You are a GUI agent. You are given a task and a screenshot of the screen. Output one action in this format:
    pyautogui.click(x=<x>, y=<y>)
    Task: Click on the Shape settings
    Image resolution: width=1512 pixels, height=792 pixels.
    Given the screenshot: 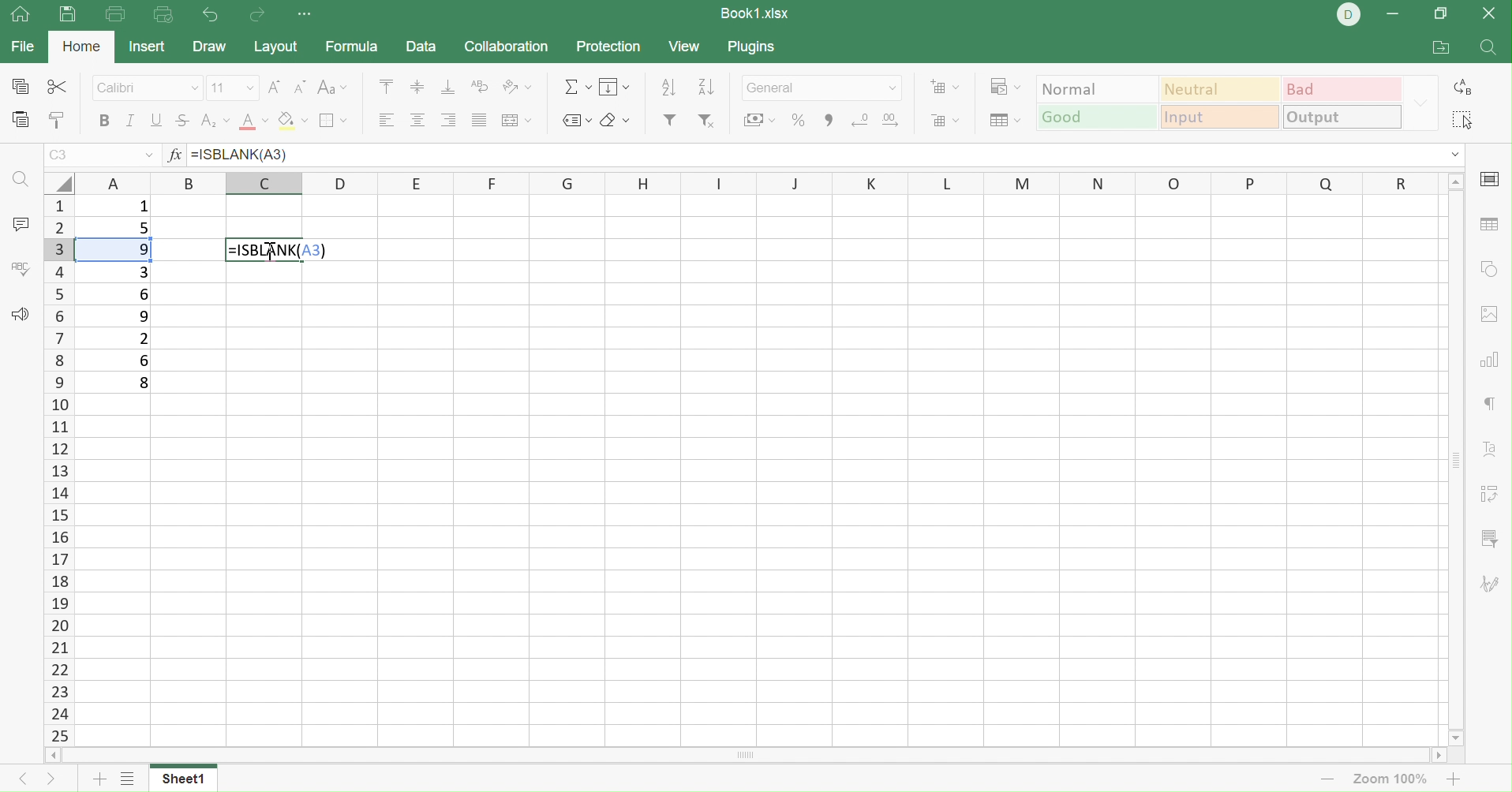 What is the action you would take?
    pyautogui.click(x=1491, y=271)
    